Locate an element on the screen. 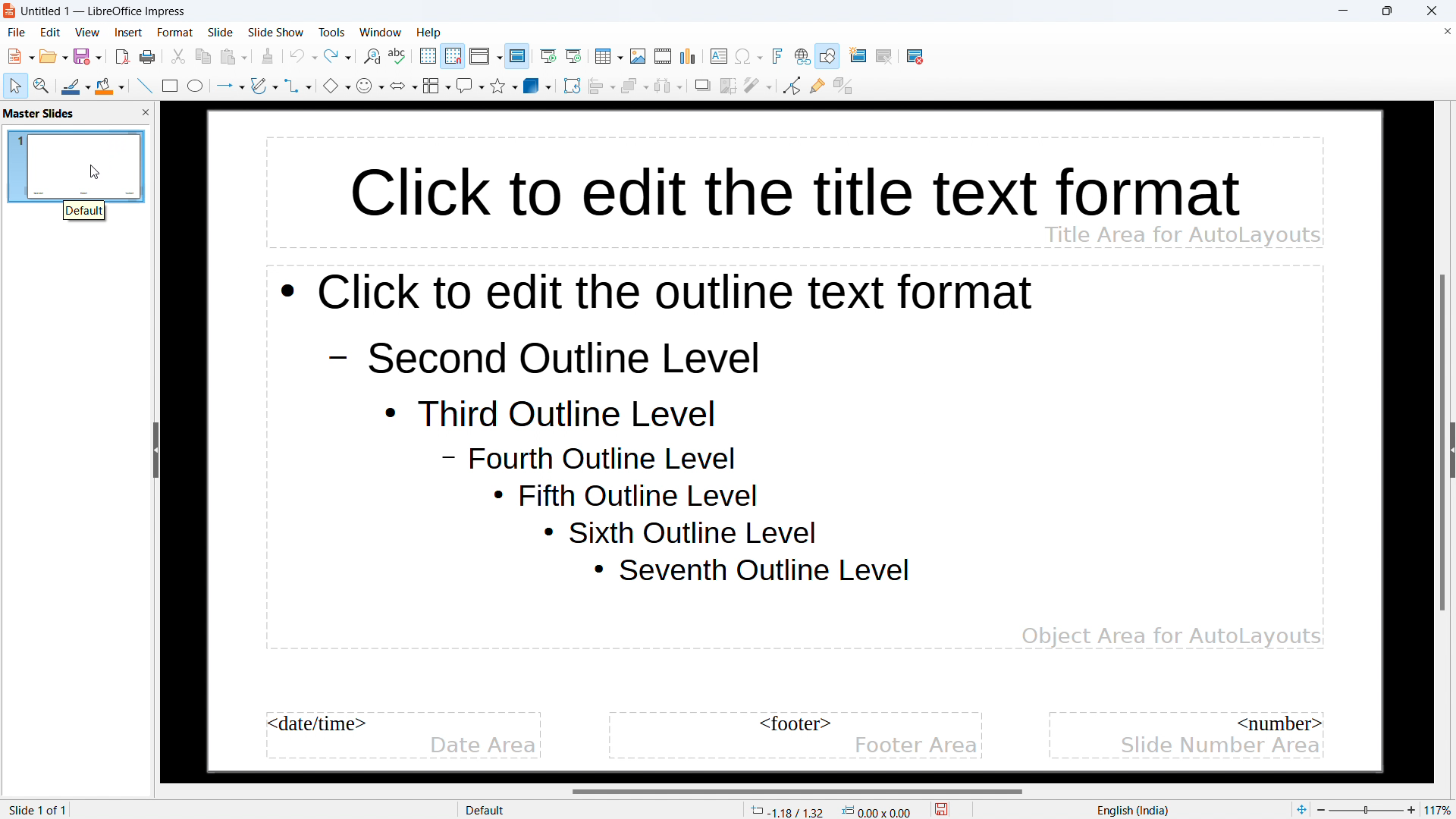 The image size is (1456, 819). master slide is located at coordinates (518, 56).